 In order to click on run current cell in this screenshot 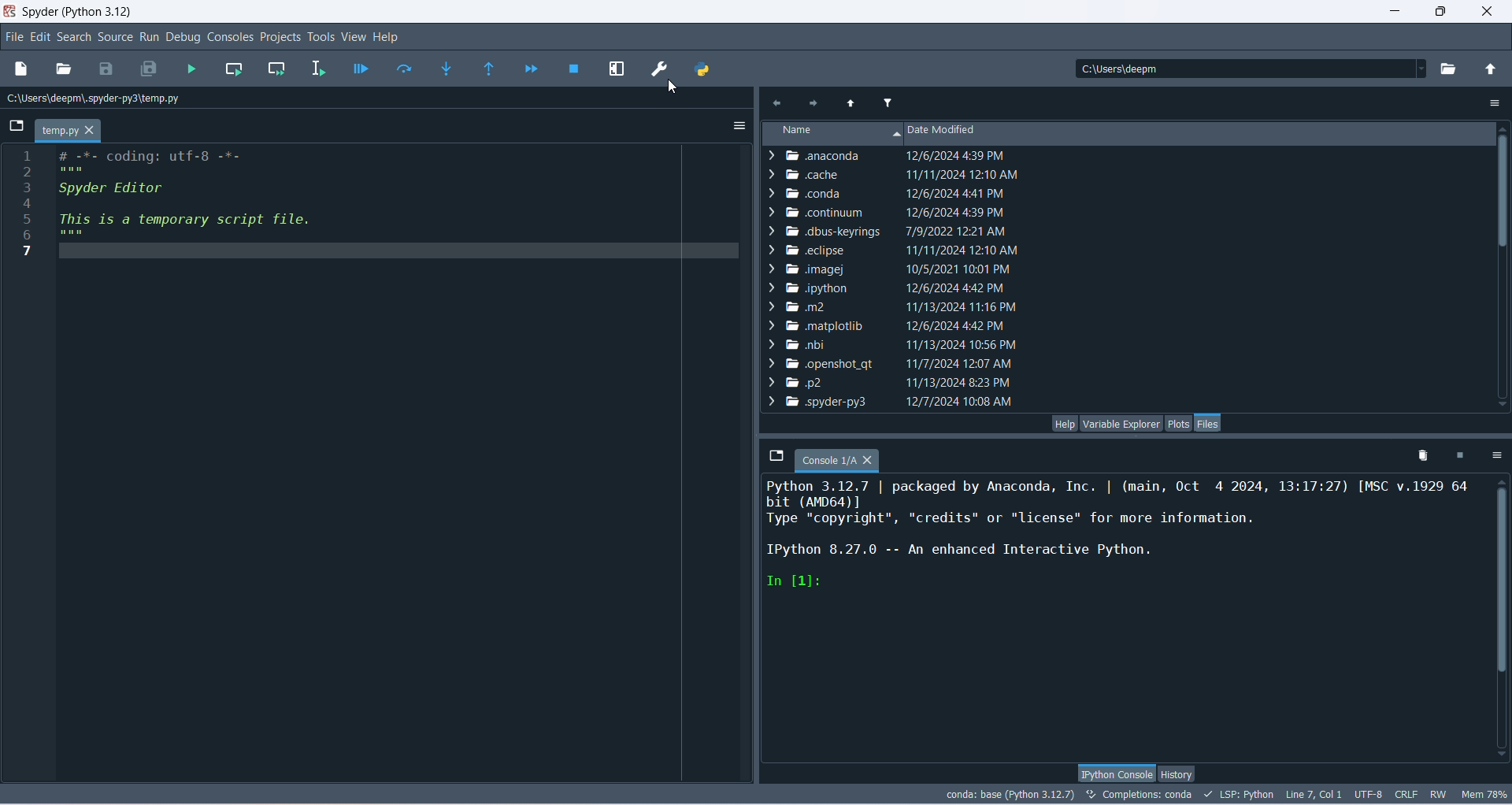, I will do `click(234, 69)`.